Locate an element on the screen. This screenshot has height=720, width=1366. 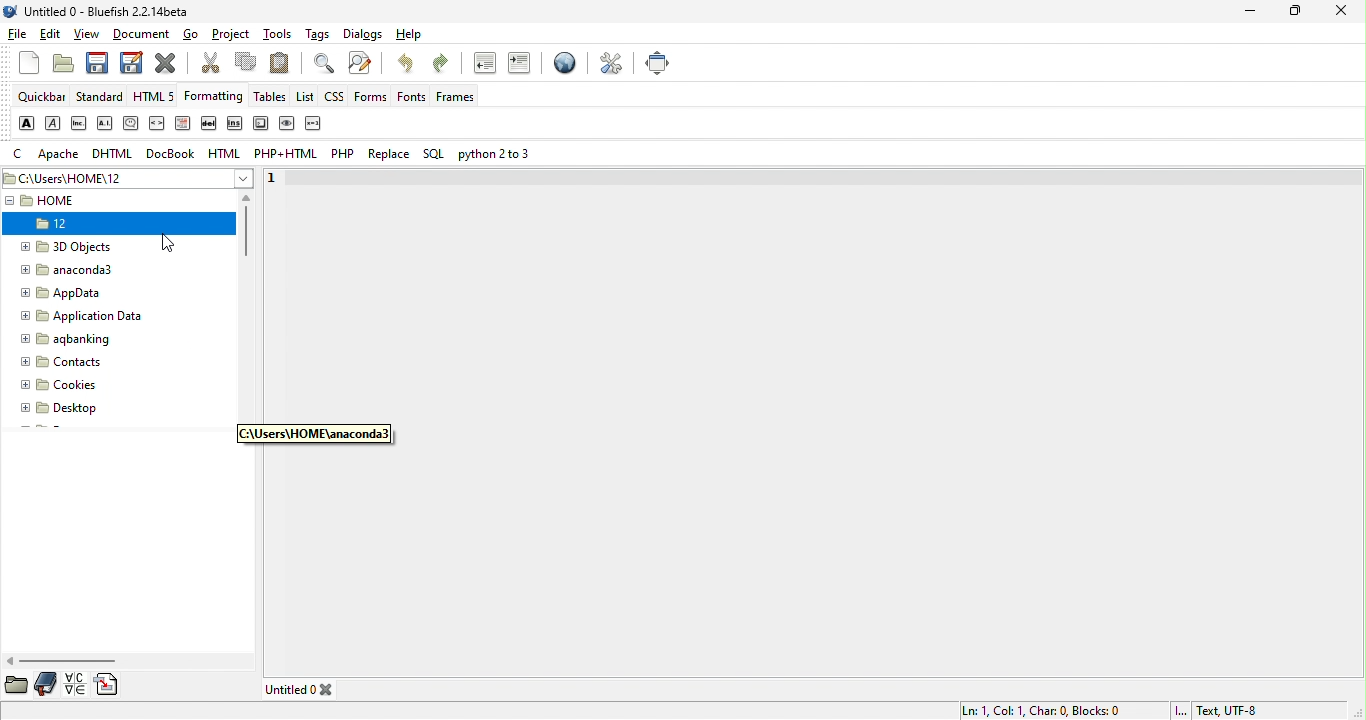
apache is located at coordinates (61, 155).